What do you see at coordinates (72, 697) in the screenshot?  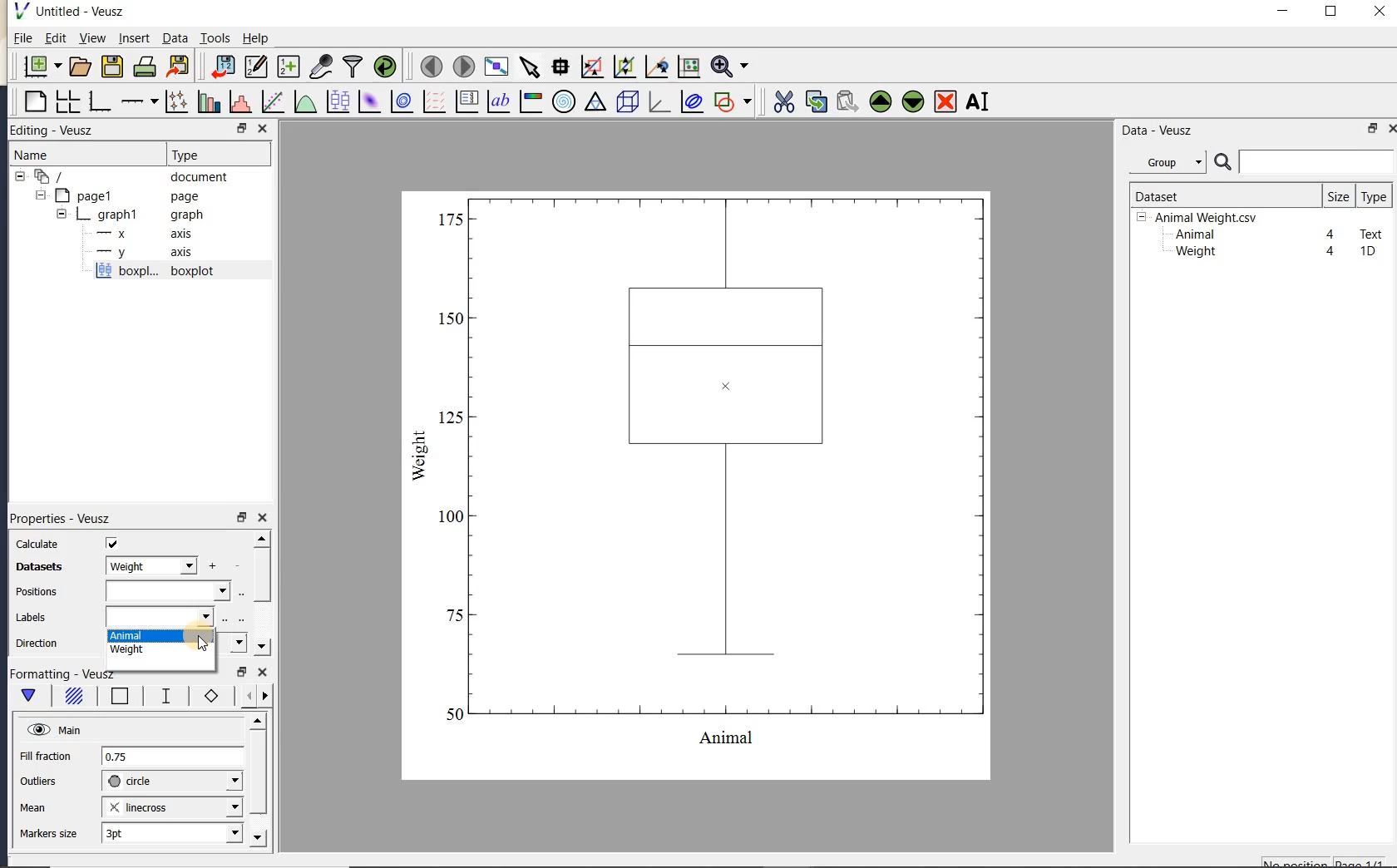 I see `box fill` at bounding box center [72, 697].